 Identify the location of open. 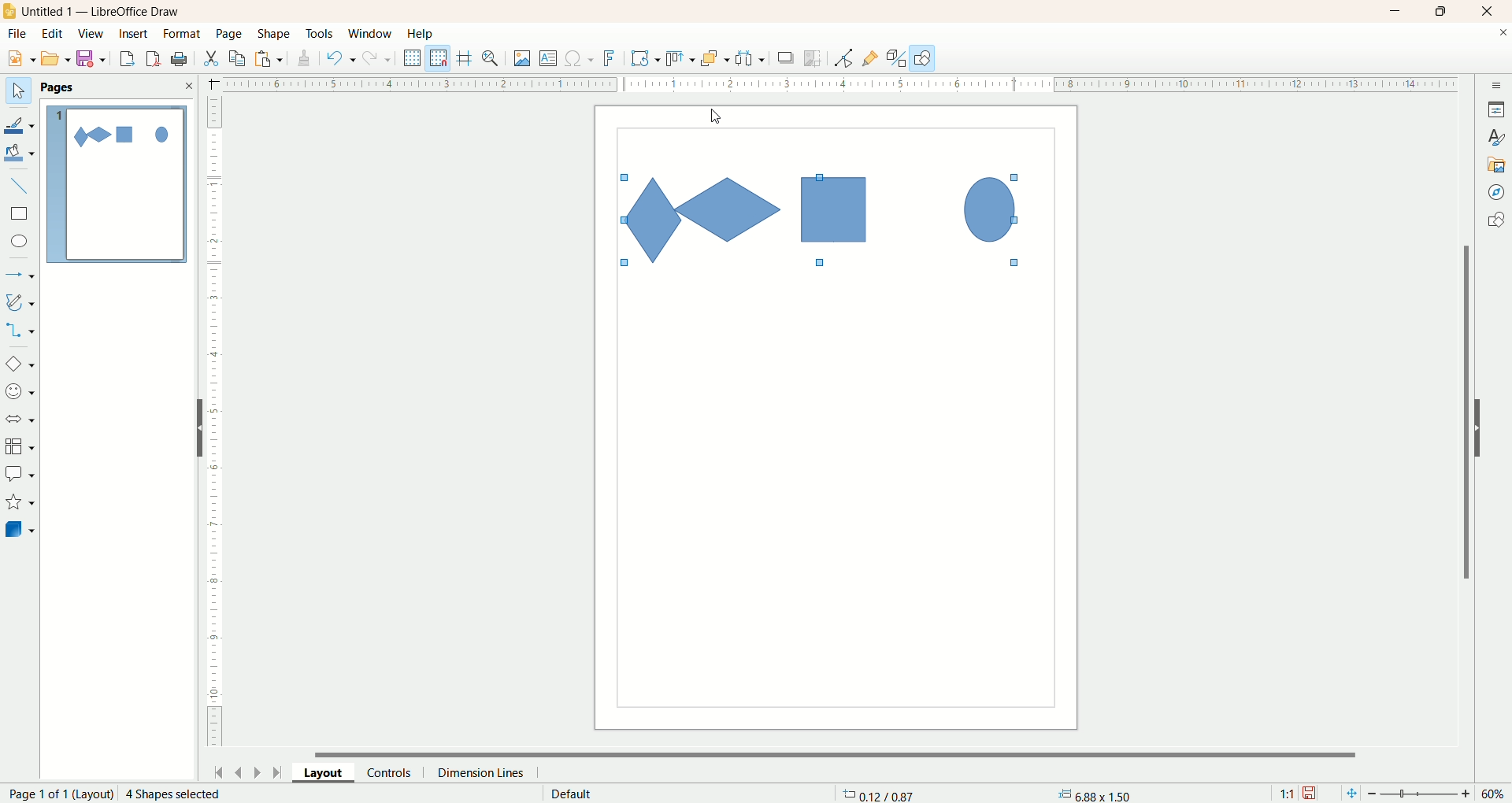
(56, 58).